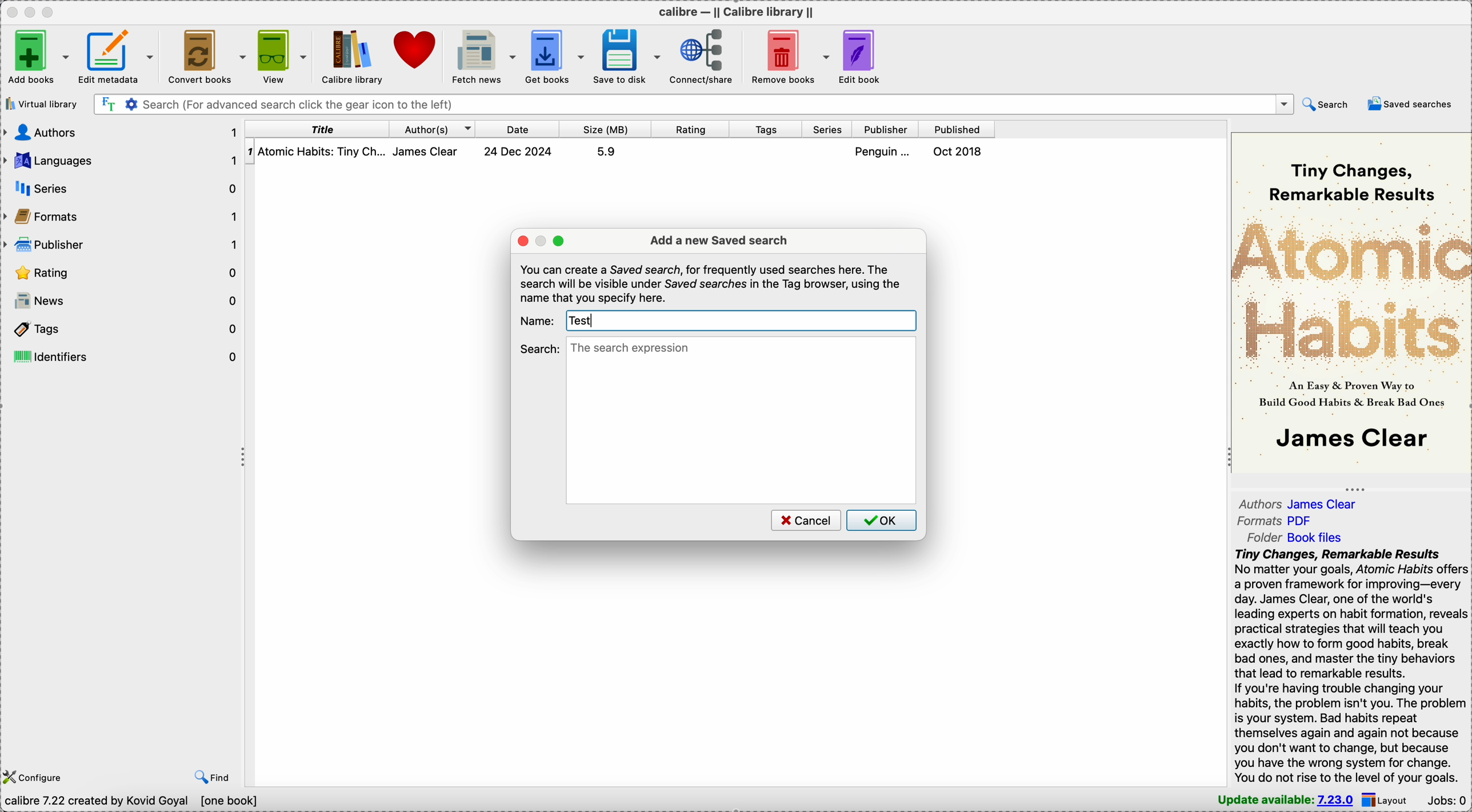 Image resolution: width=1472 pixels, height=812 pixels. What do you see at coordinates (606, 129) in the screenshot?
I see `size` at bounding box center [606, 129].